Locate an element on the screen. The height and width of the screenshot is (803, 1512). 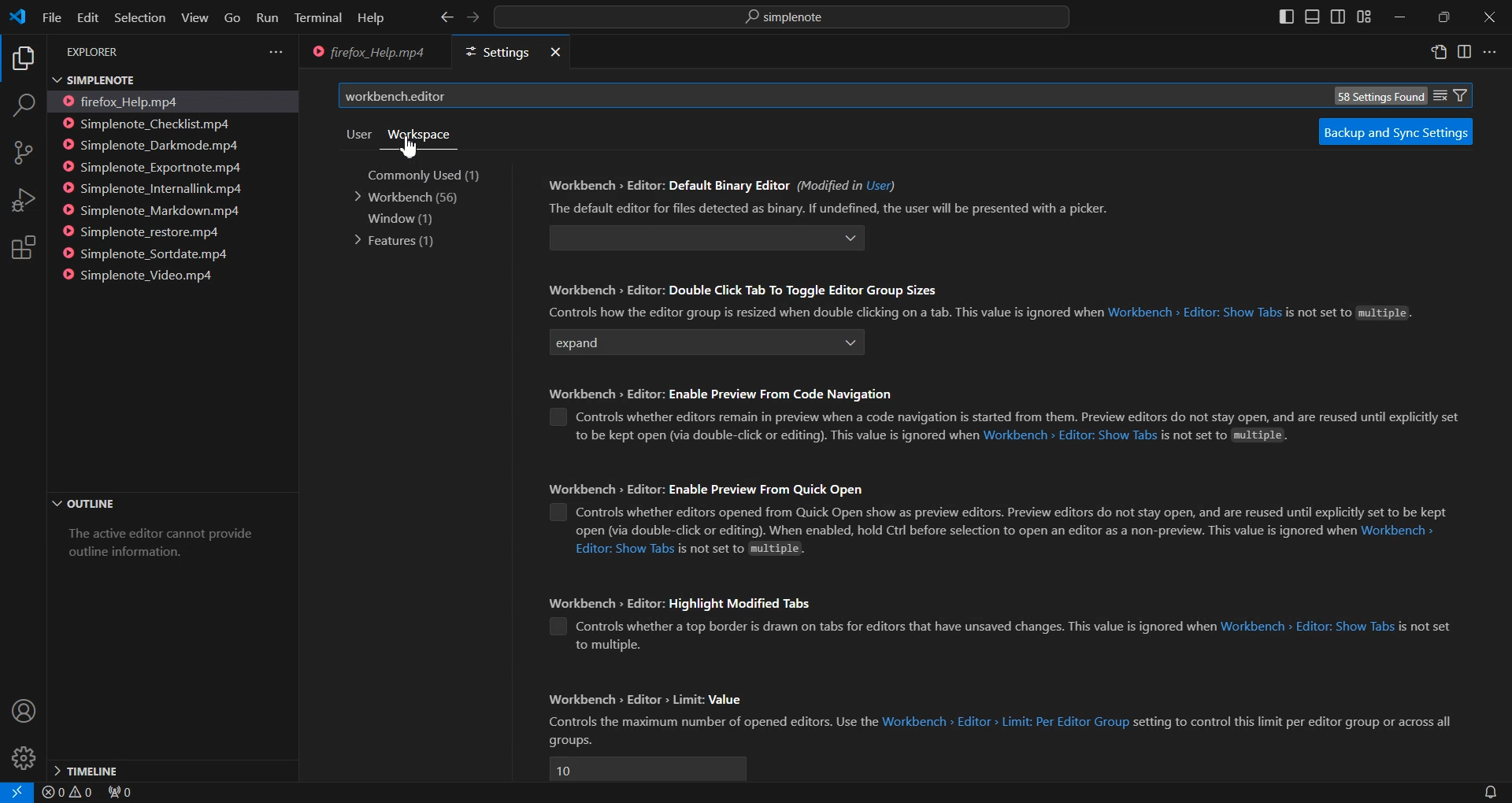
Workbench > Editor > Limit: Value is located at coordinates (647, 698).